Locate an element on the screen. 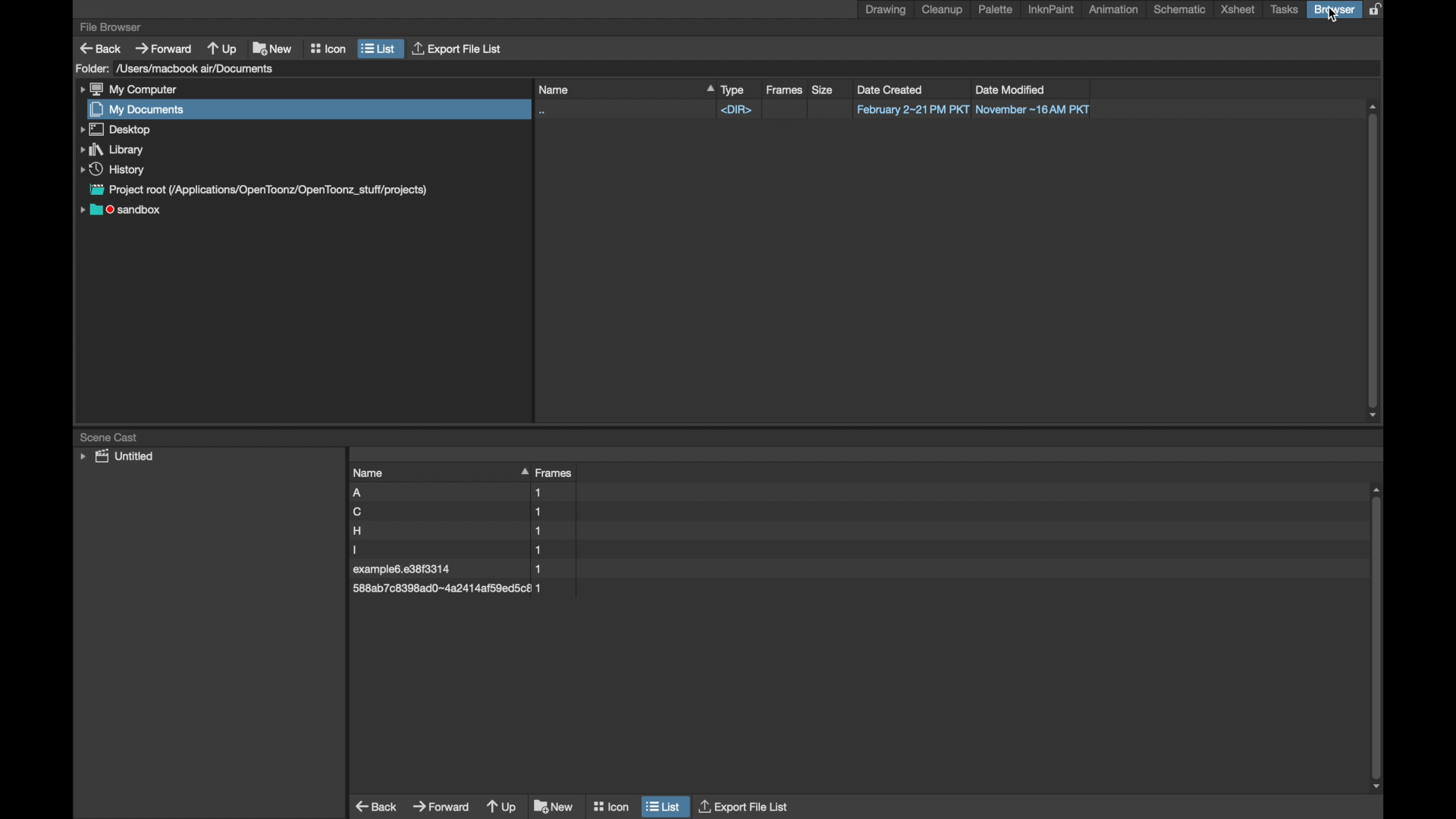 The height and width of the screenshot is (819, 1456). scroll box is located at coordinates (1378, 639).